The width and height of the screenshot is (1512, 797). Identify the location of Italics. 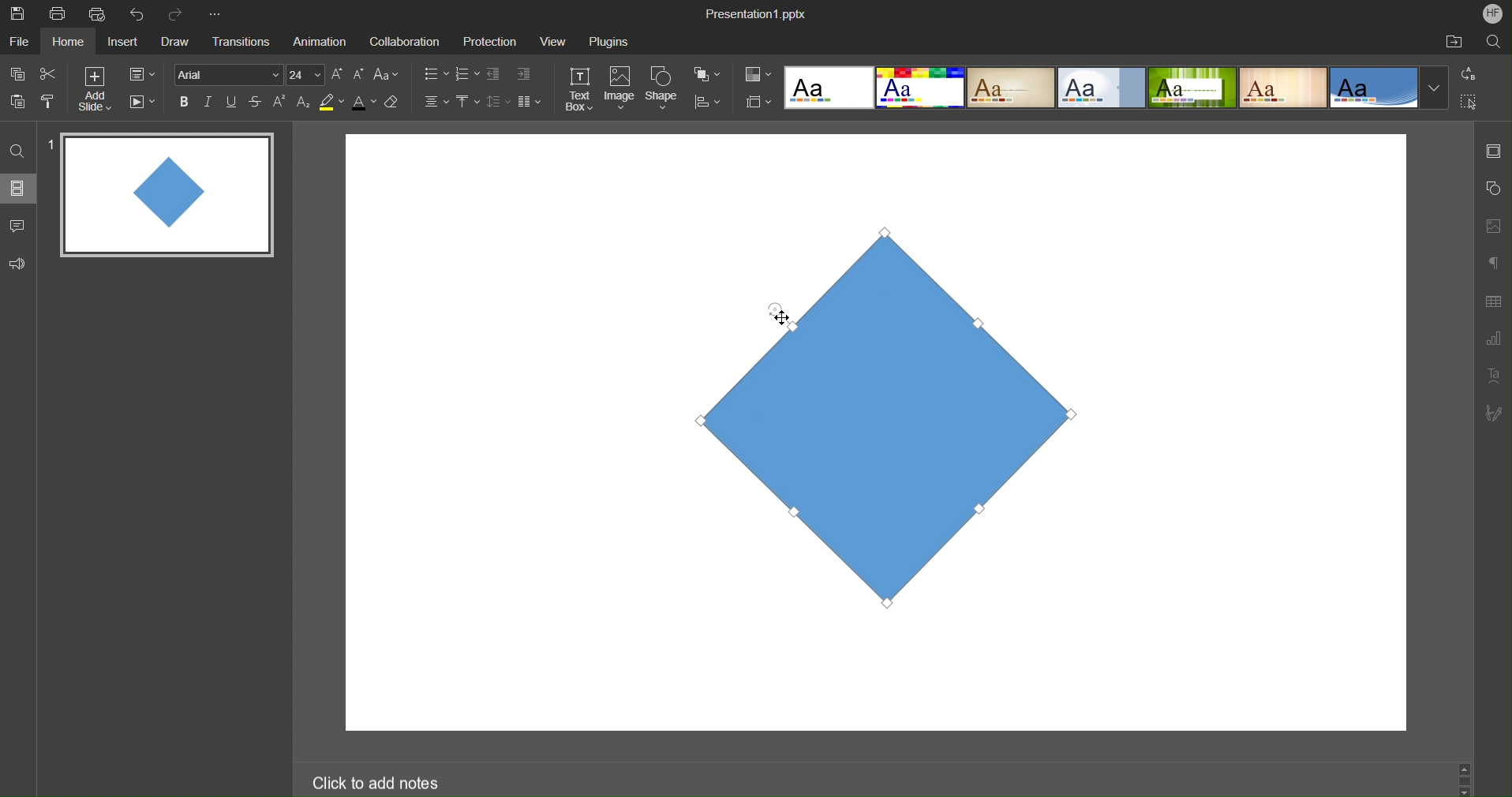
(208, 102).